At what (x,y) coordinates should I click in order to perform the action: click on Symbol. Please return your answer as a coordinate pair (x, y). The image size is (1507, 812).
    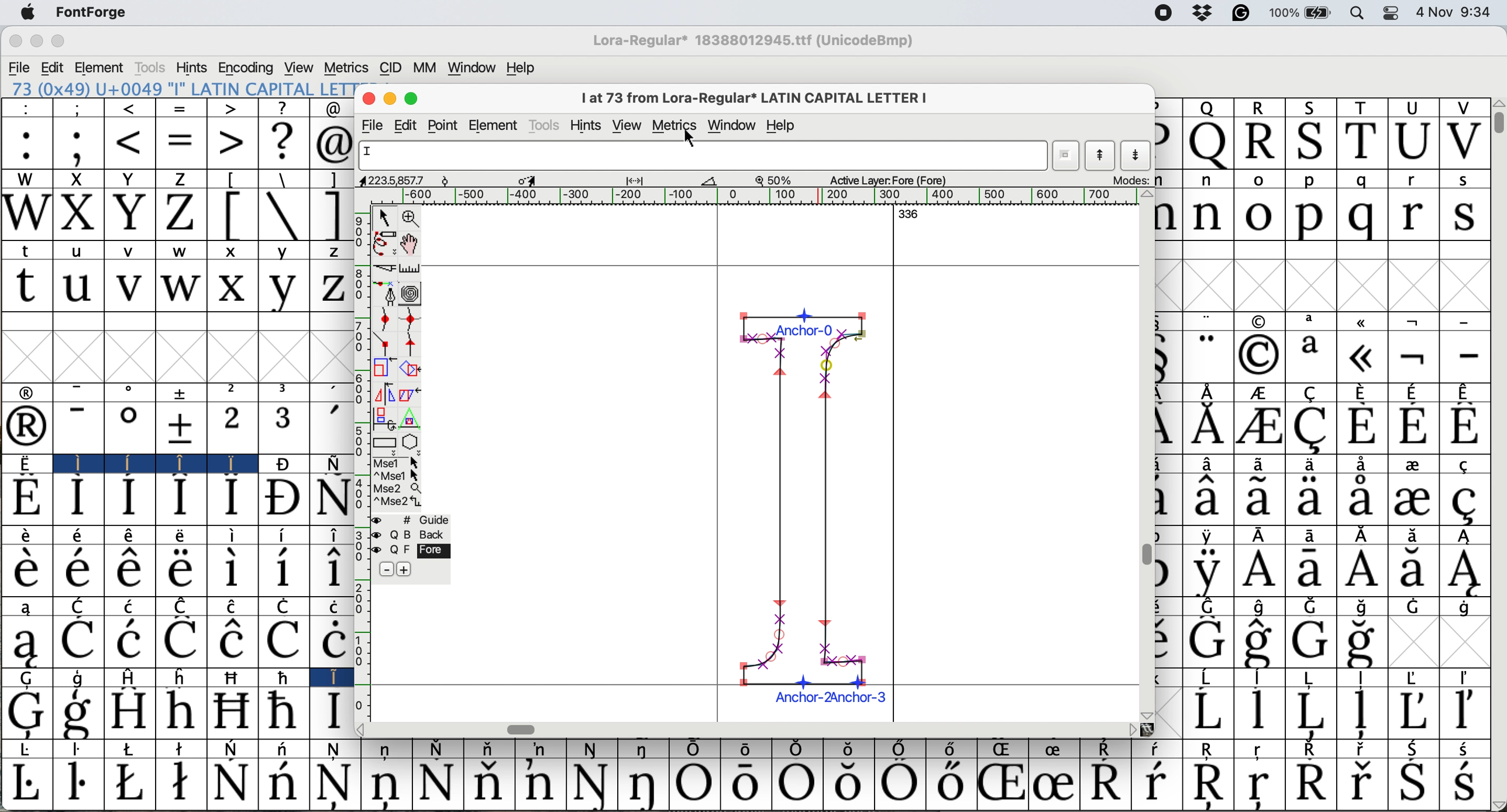
    Looking at the image, I should click on (29, 785).